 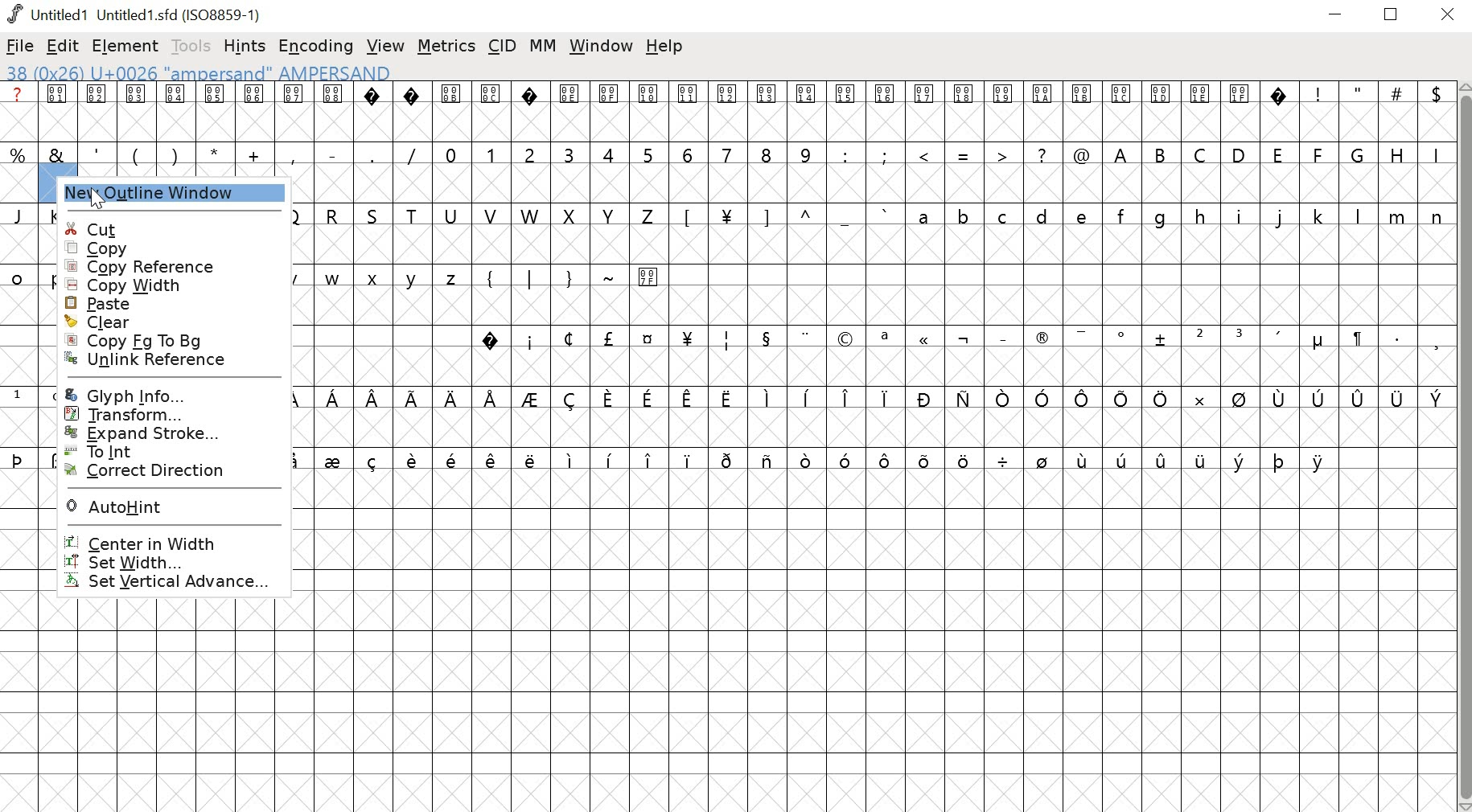 I want to click on $, so click(x=1434, y=112).